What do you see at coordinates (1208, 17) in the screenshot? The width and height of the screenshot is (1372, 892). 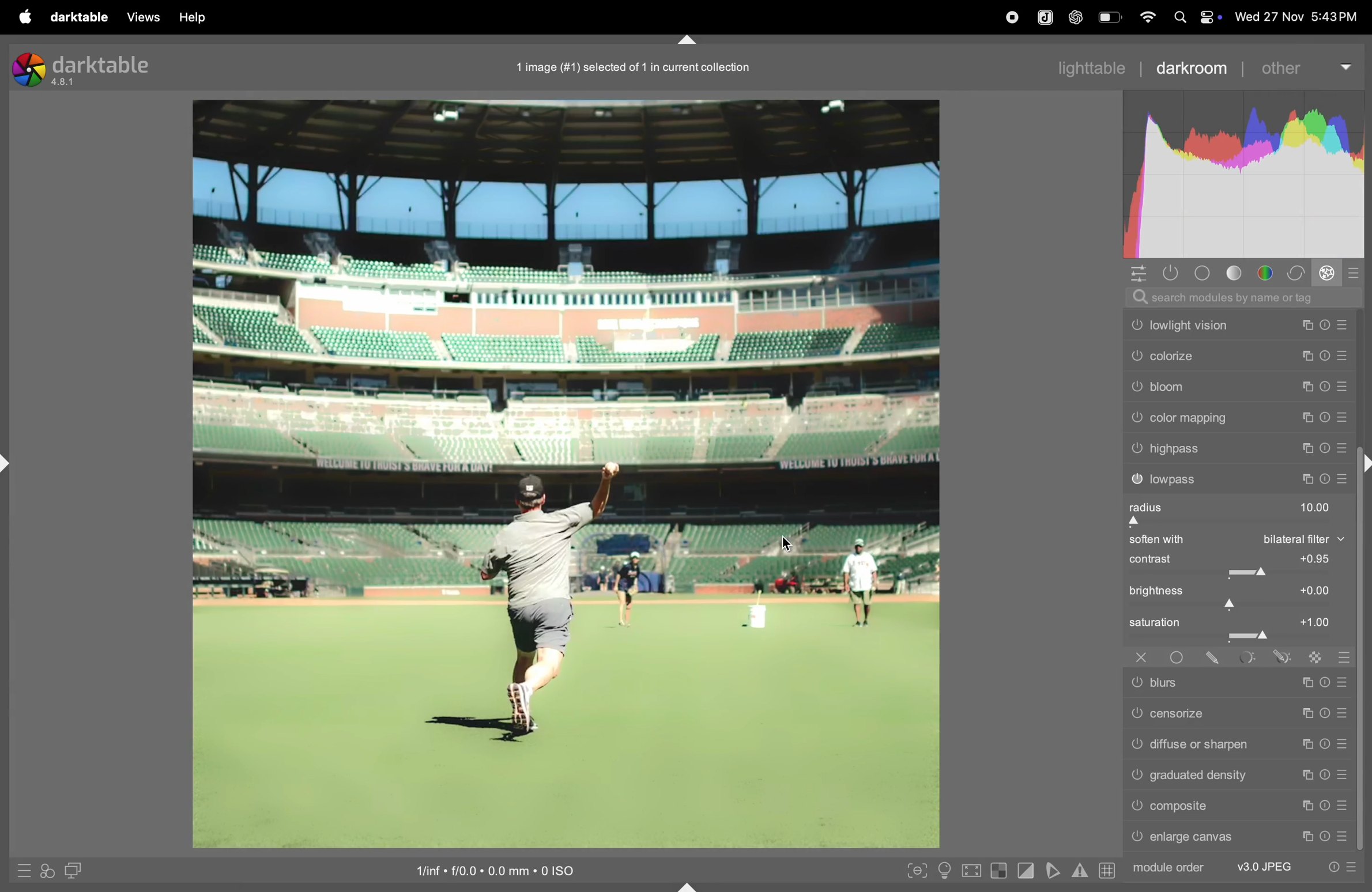 I see `apple widgets` at bounding box center [1208, 17].